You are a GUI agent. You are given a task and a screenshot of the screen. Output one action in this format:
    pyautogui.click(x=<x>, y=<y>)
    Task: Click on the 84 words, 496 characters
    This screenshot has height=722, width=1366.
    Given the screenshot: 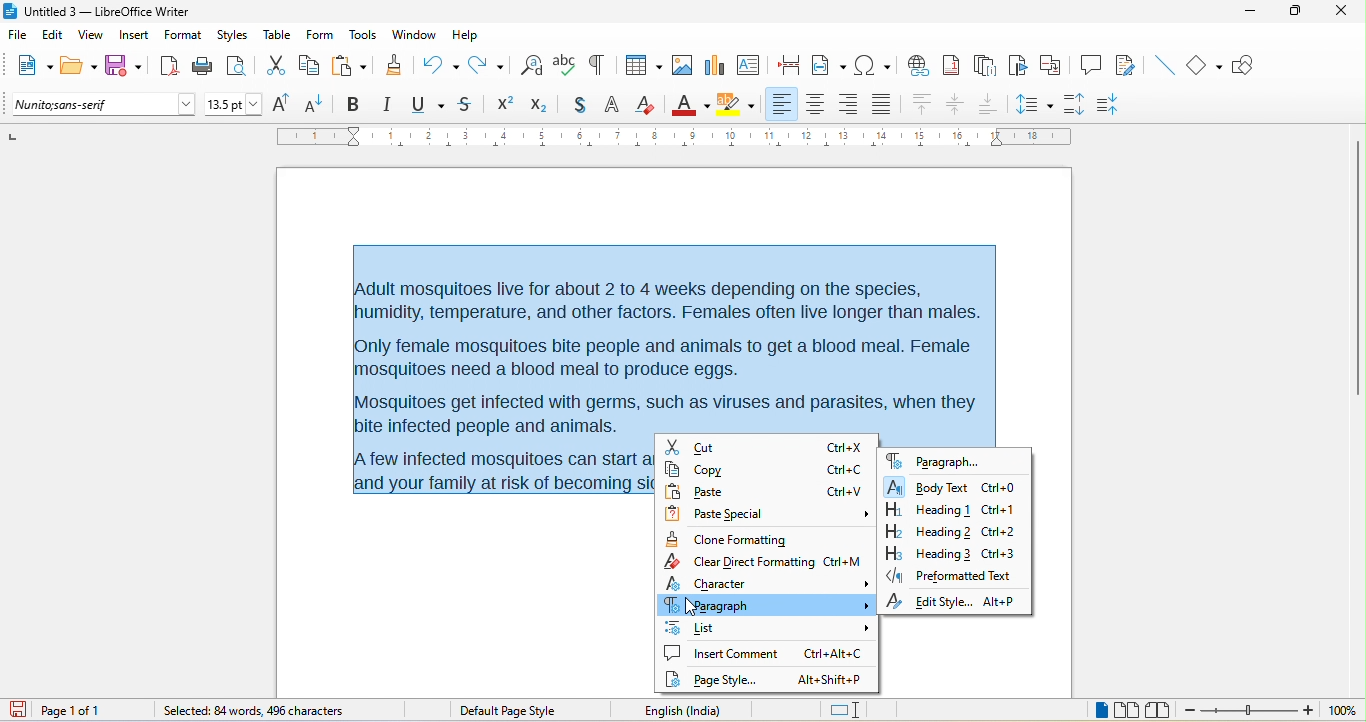 What is the action you would take?
    pyautogui.click(x=251, y=712)
    